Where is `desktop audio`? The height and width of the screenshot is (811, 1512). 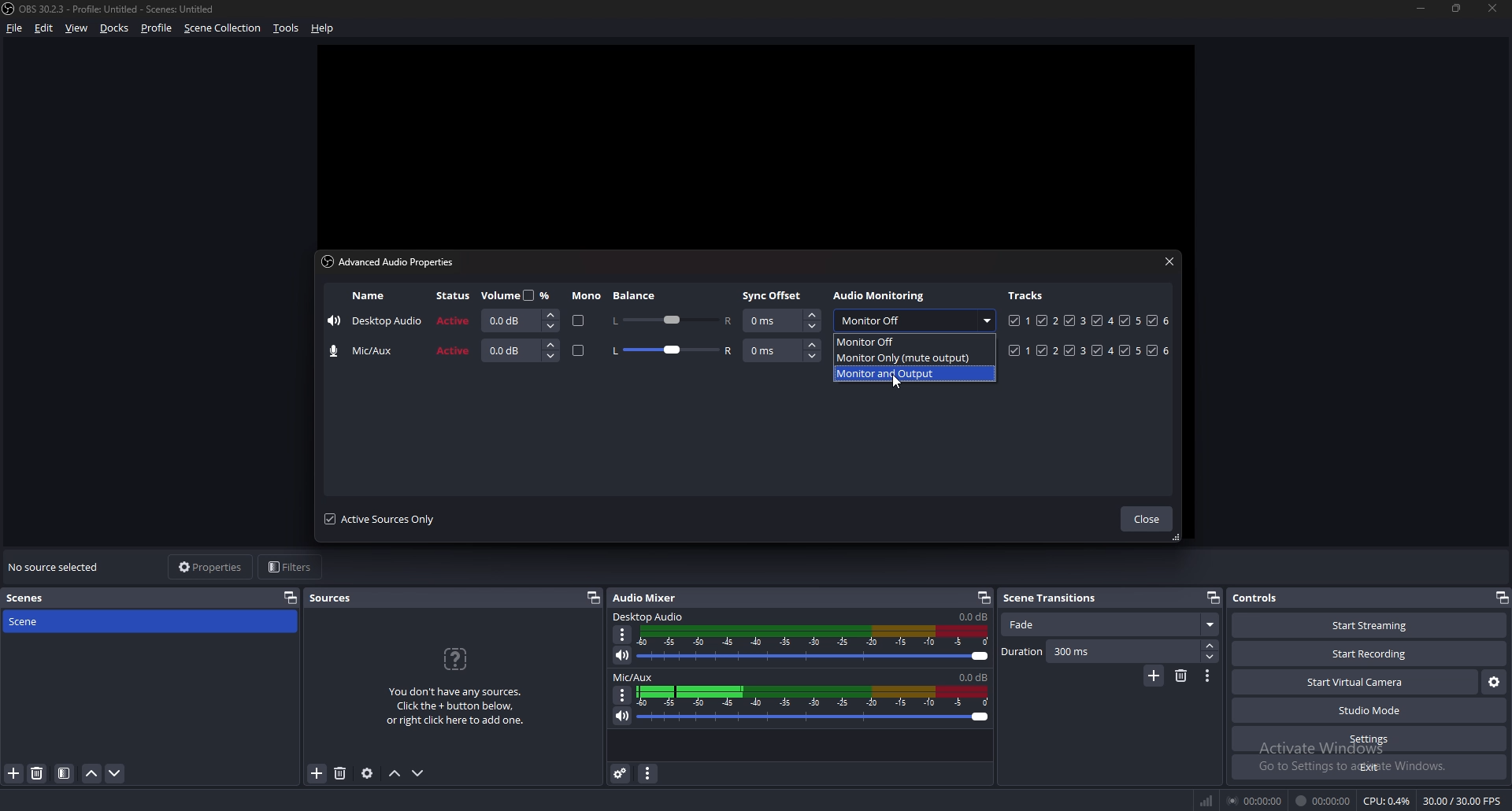 desktop audio is located at coordinates (375, 323).